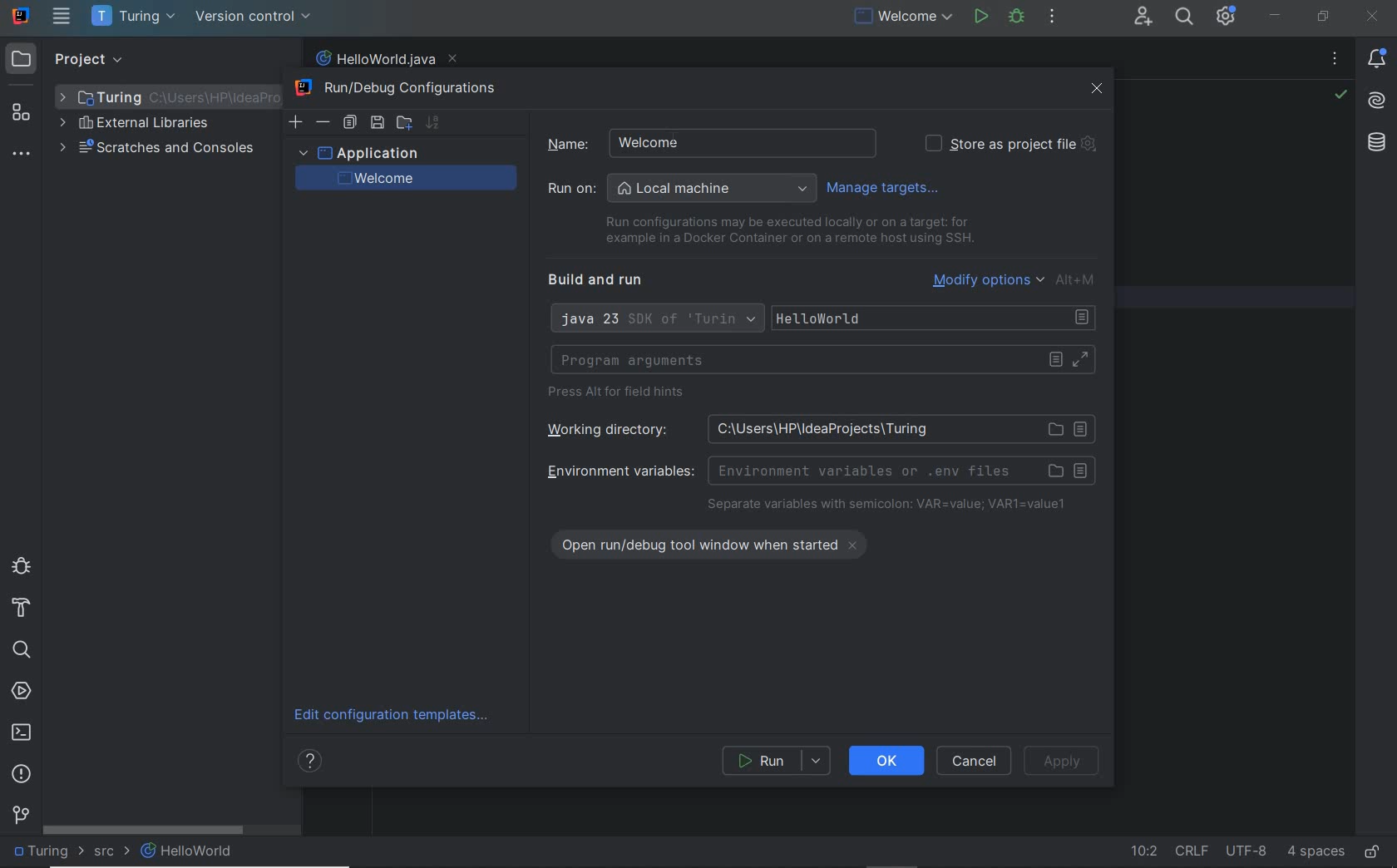 The height and width of the screenshot is (868, 1397). I want to click on help contents, so click(313, 763).